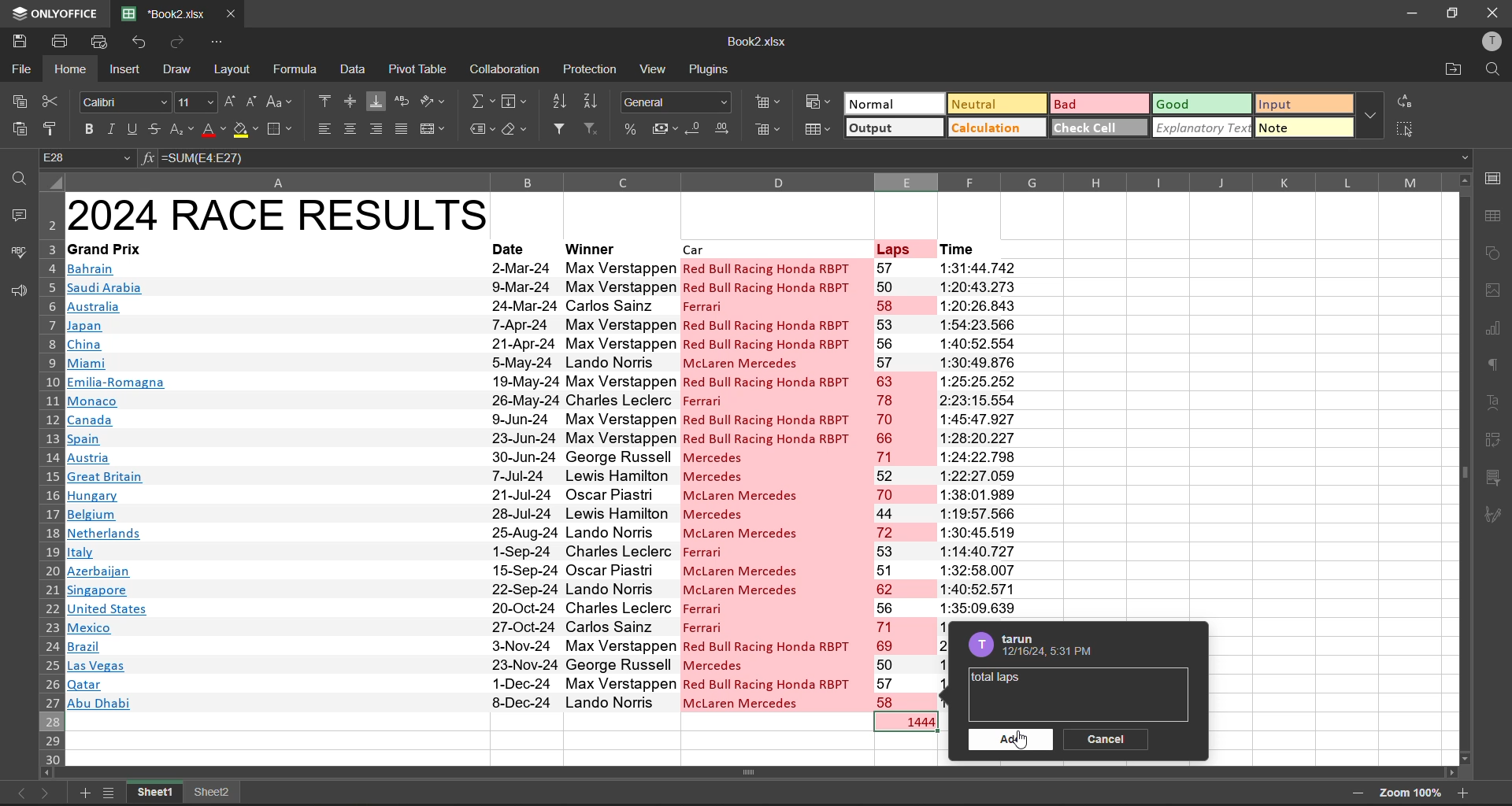  What do you see at coordinates (157, 130) in the screenshot?
I see `strikethrough` at bounding box center [157, 130].